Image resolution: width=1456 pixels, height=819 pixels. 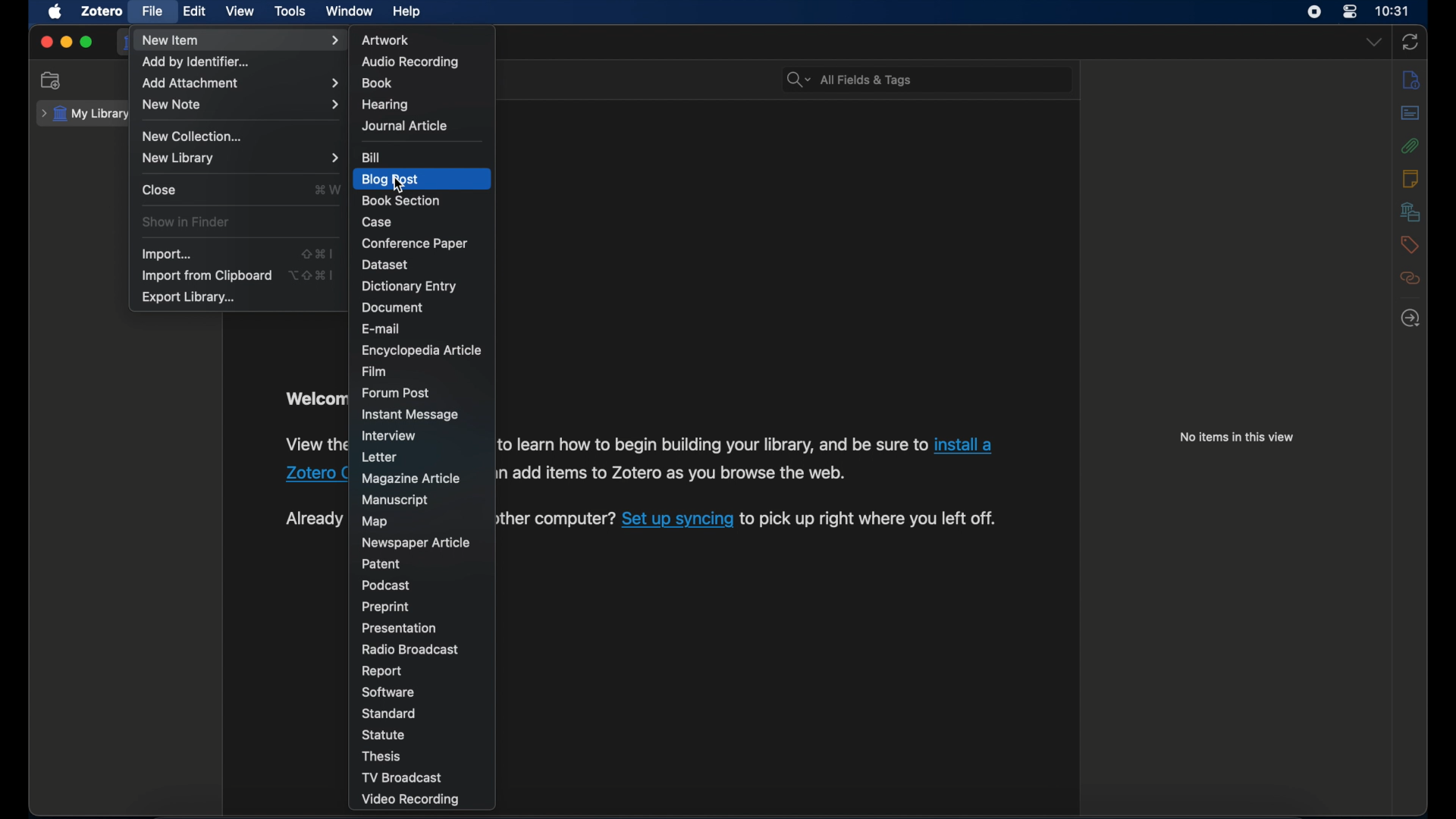 What do you see at coordinates (1351, 11) in the screenshot?
I see `control center` at bounding box center [1351, 11].